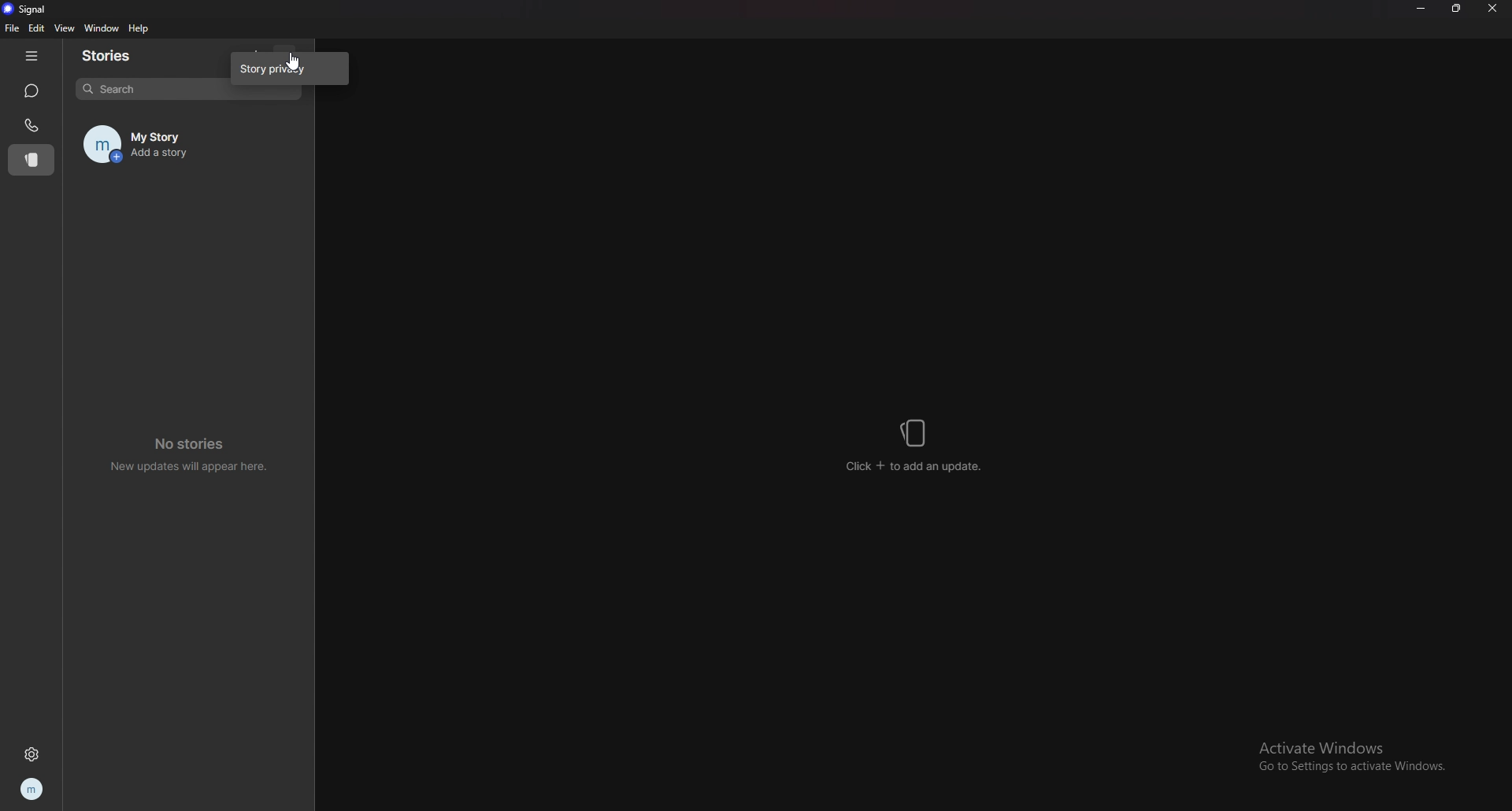 The height and width of the screenshot is (811, 1512). What do you see at coordinates (1494, 9) in the screenshot?
I see `close` at bounding box center [1494, 9].